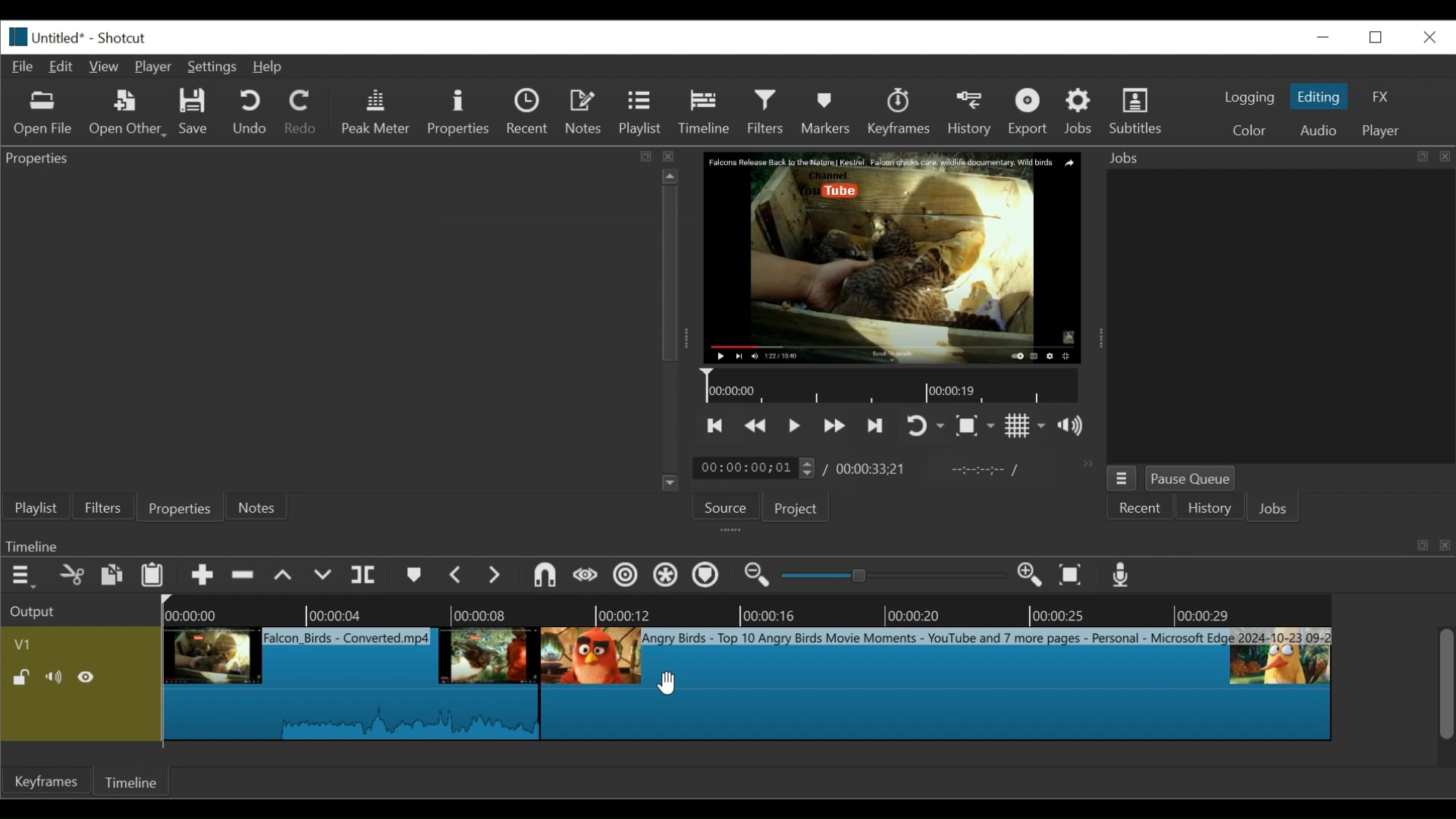 The image size is (1456, 819). What do you see at coordinates (331, 330) in the screenshot?
I see `Properties Panel` at bounding box center [331, 330].